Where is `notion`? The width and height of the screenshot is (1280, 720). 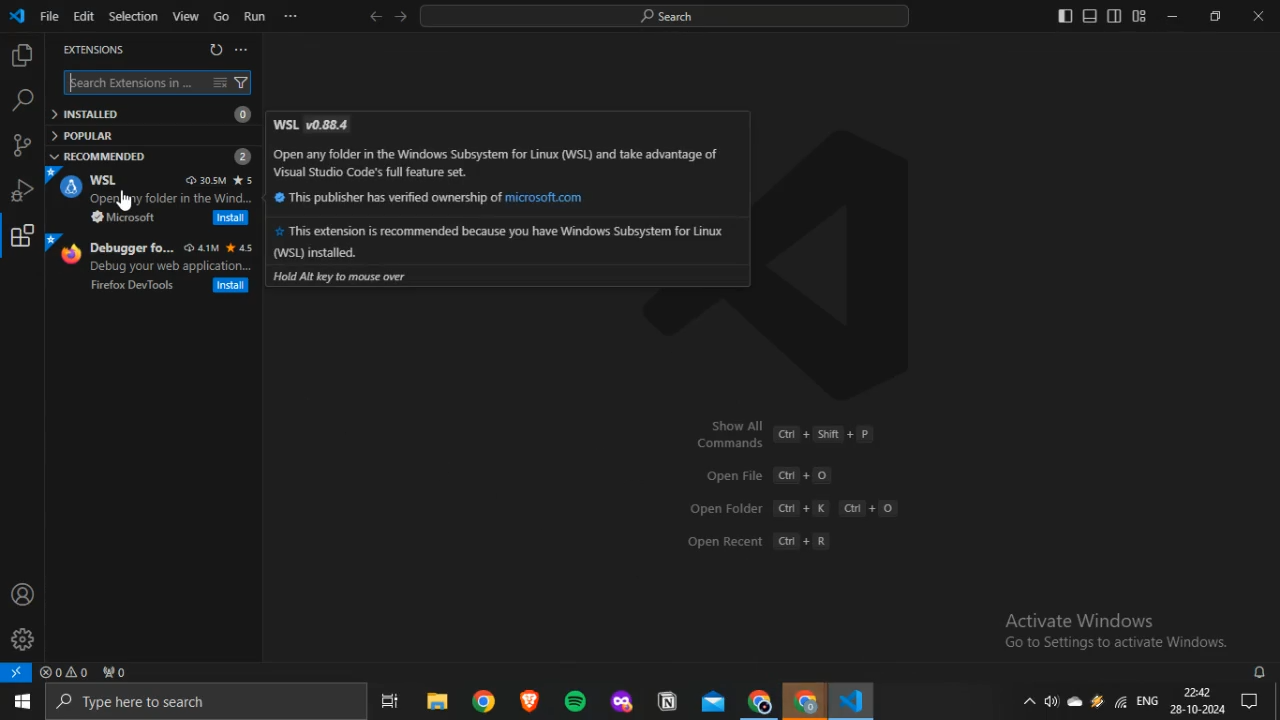 notion is located at coordinates (668, 700).